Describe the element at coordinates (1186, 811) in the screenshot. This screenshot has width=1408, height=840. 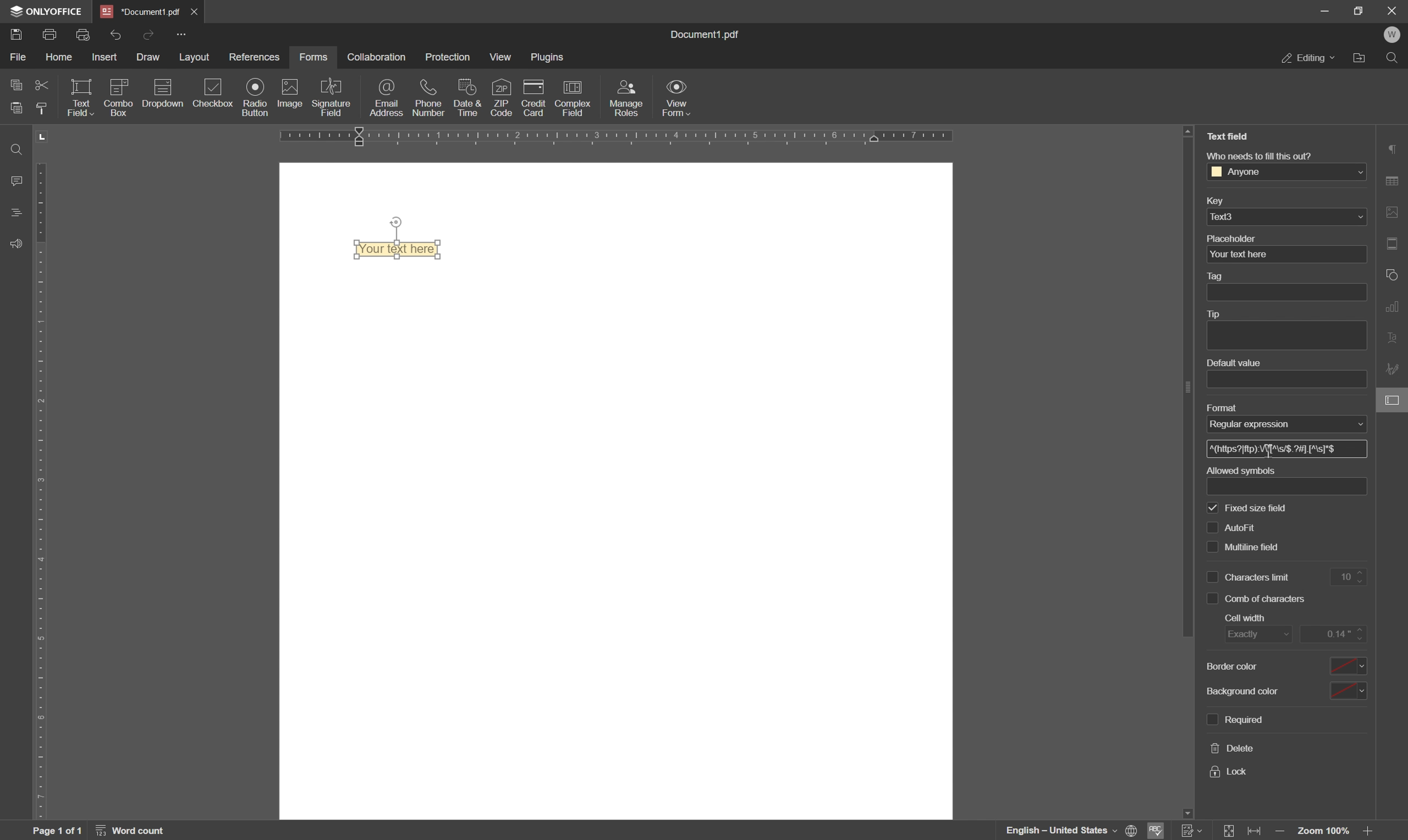
I see `scroll down` at that location.